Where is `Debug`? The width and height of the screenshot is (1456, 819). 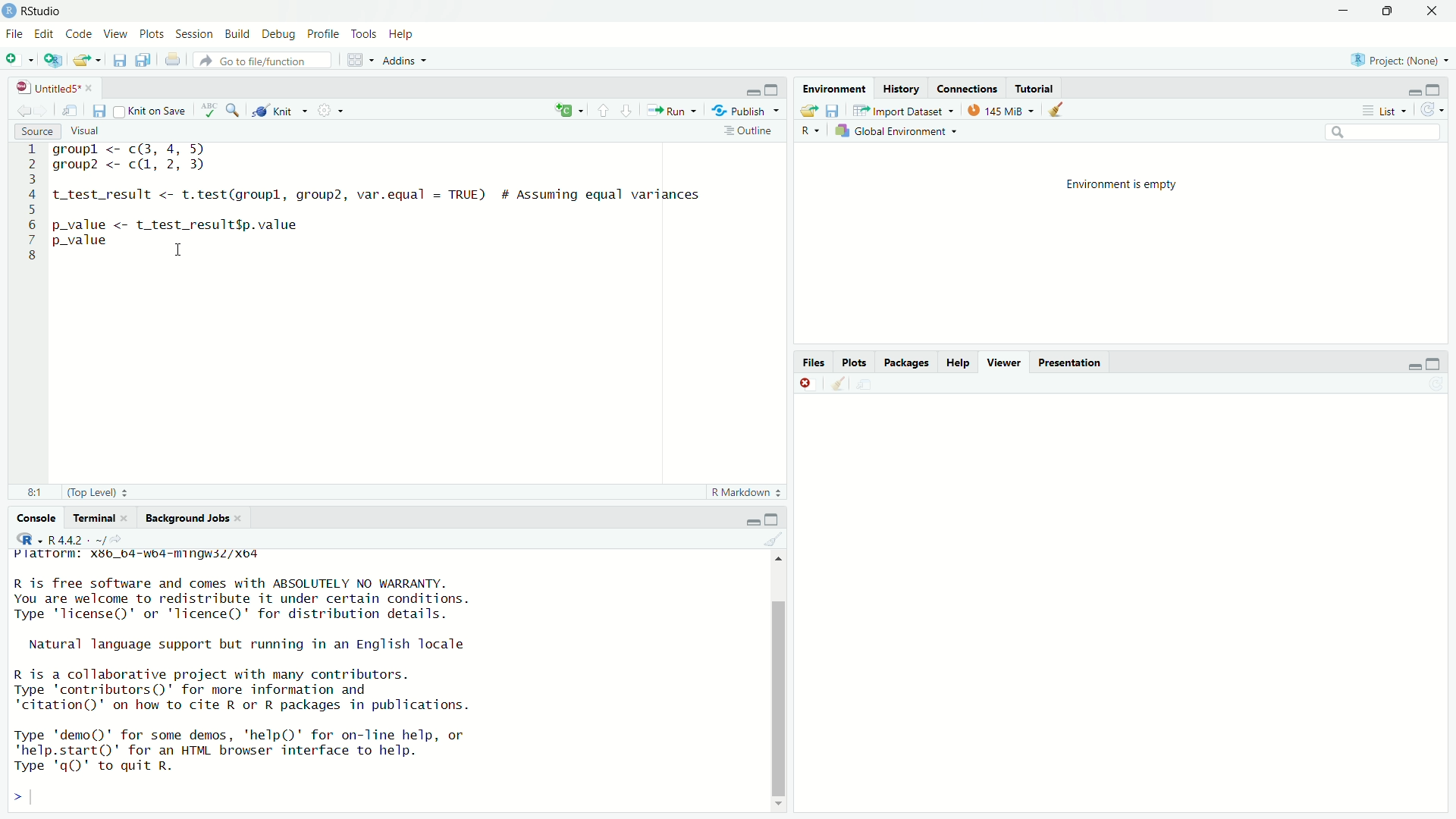 Debug is located at coordinates (277, 32).